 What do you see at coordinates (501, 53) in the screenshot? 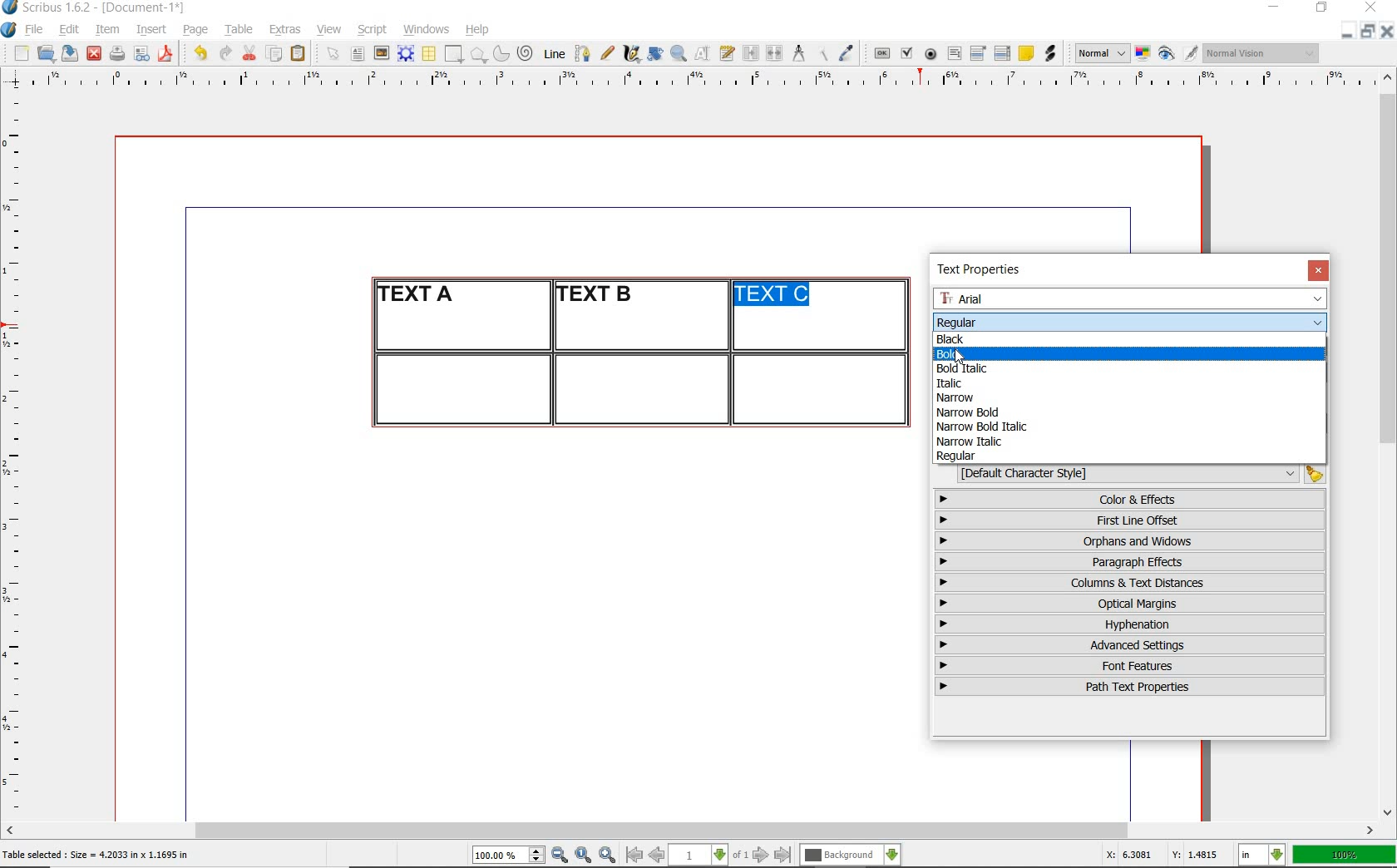
I see `arc` at bounding box center [501, 53].